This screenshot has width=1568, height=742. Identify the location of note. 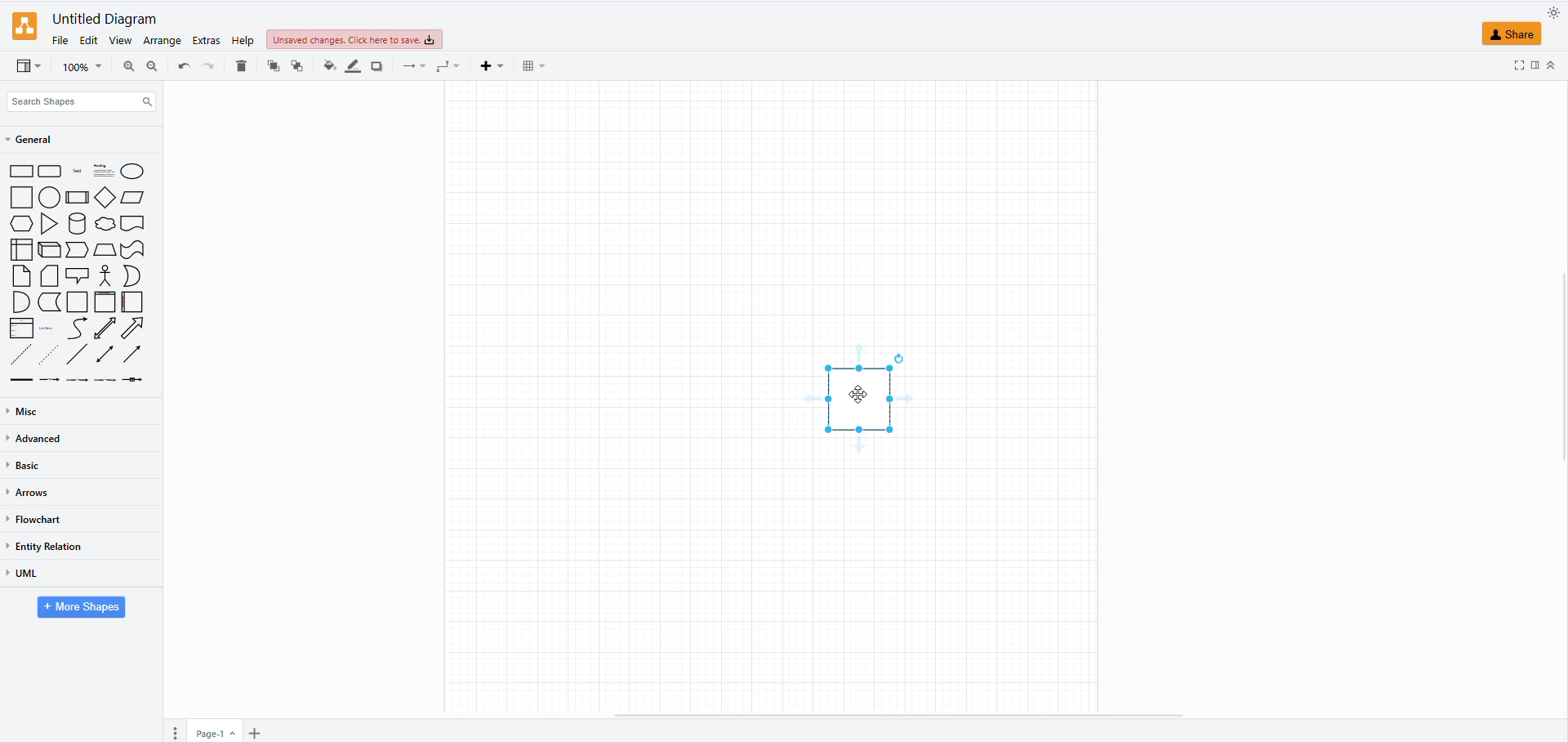
(22, 275).